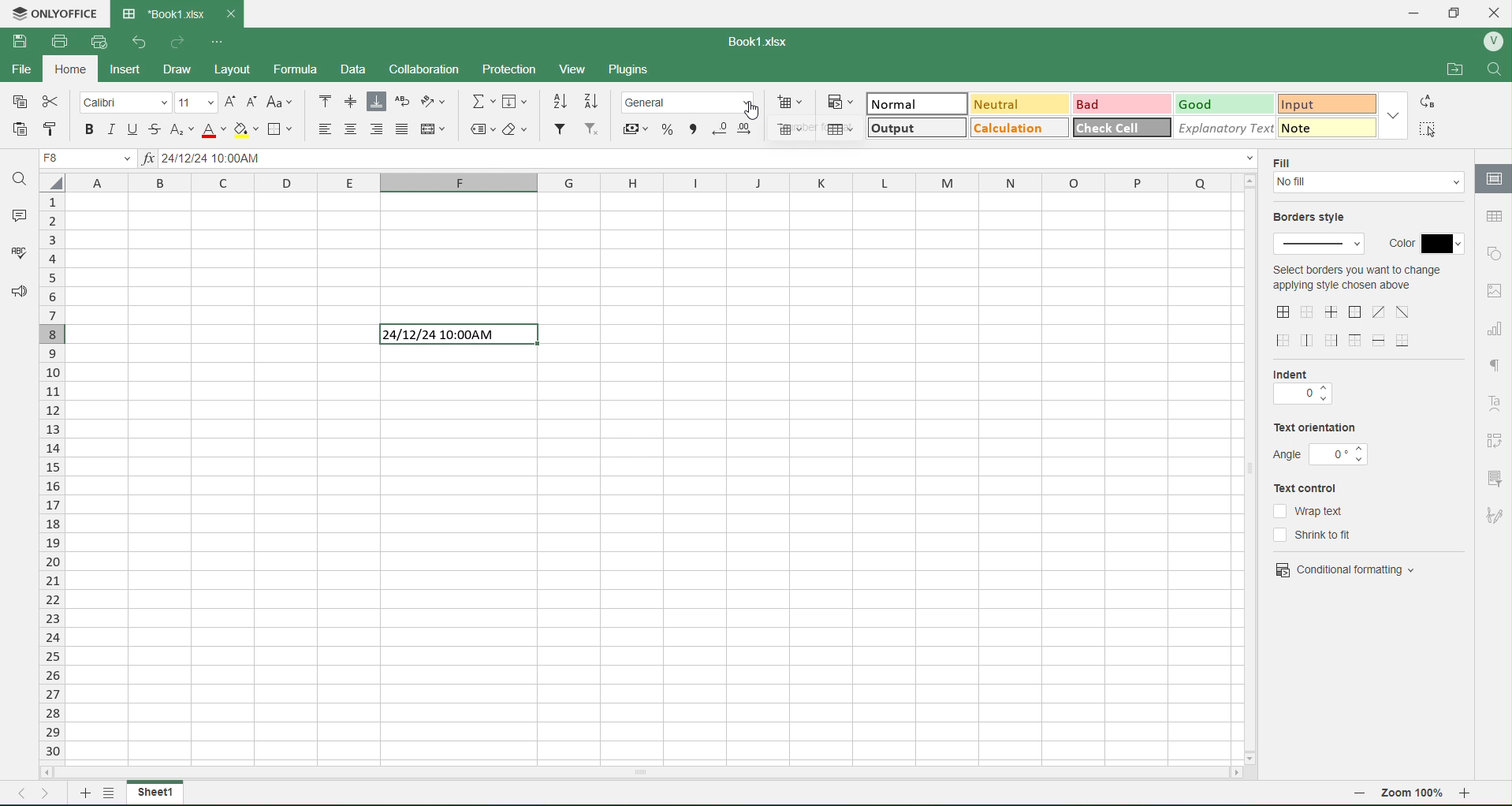 The image size is (1512, 806). I want to click on Increment Font Size, so click(229, 98).